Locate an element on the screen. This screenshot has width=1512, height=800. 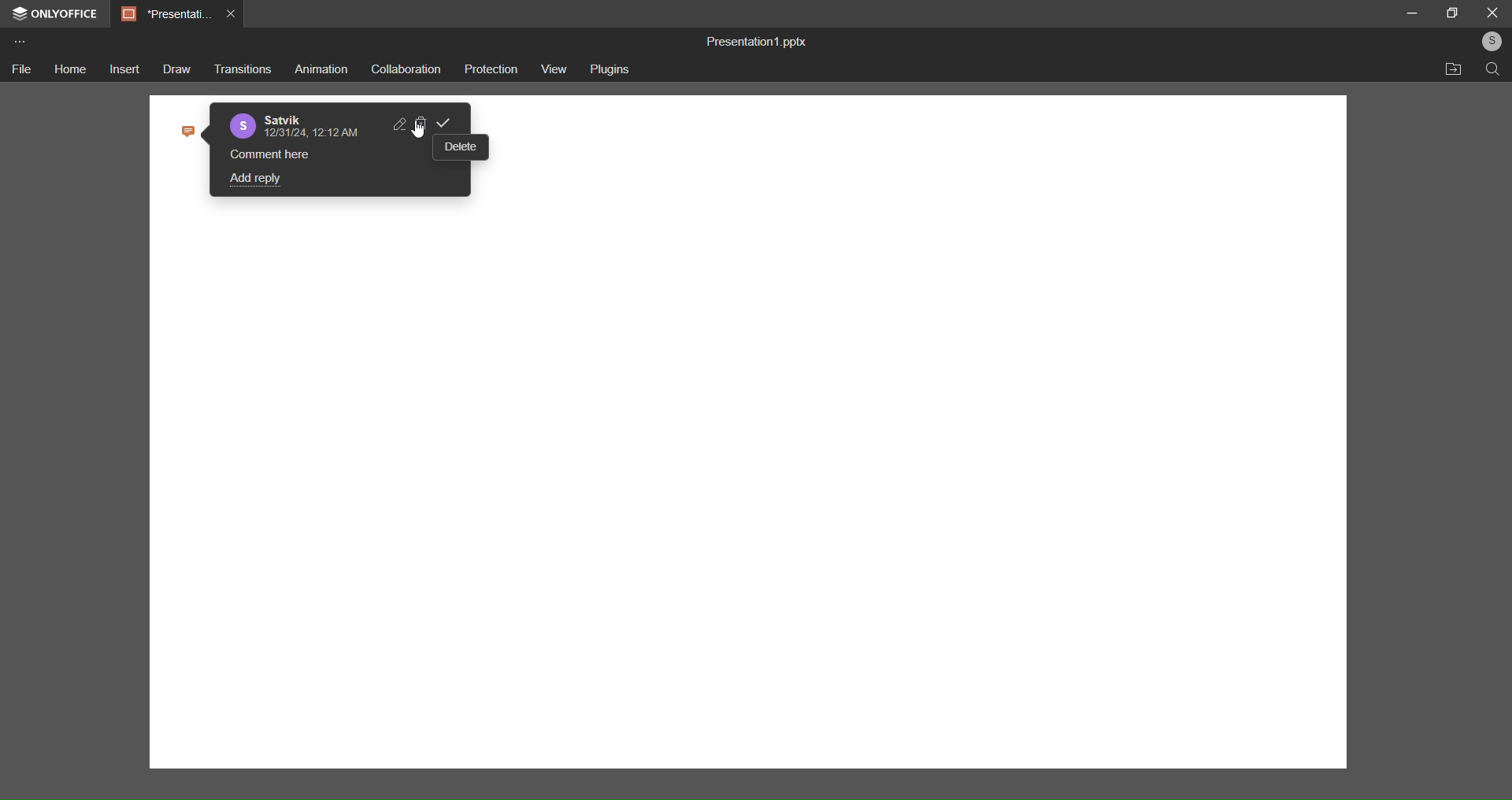
Presentation1.pptx is located at coordinates (764, 40).